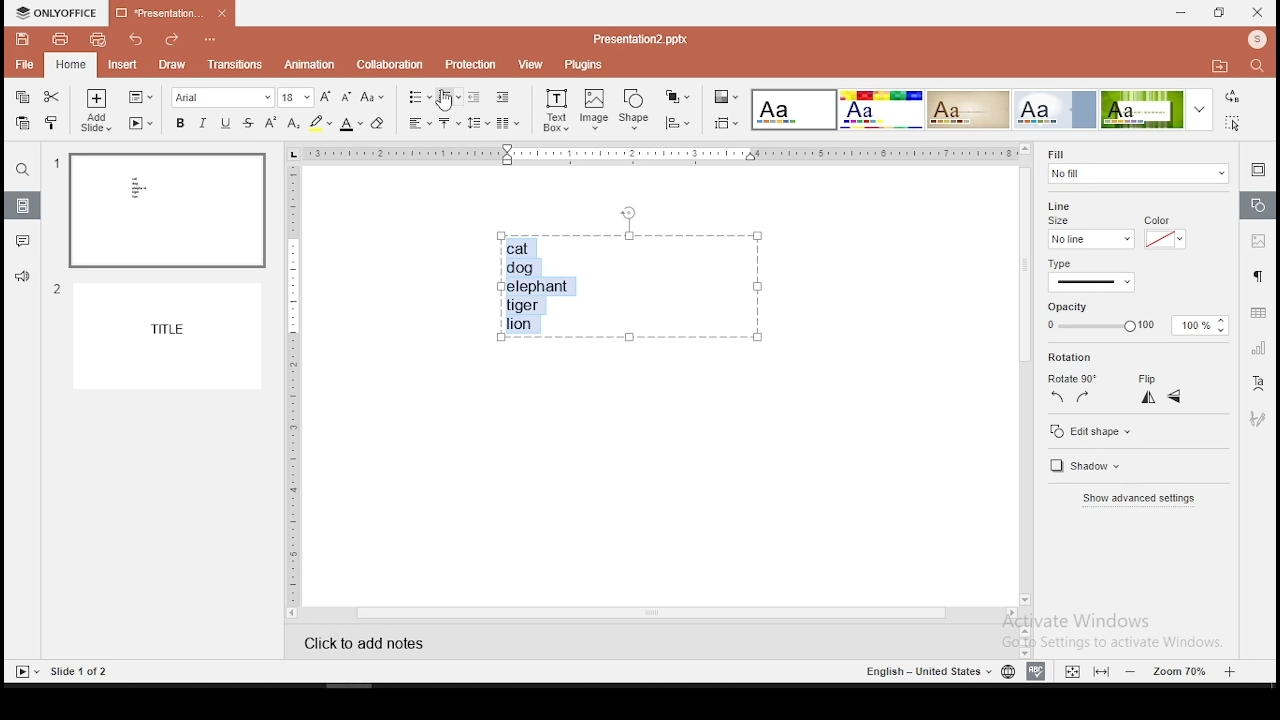 The height and width of the screenshot is (720, 1280). I want to click on collaboration, so click(389, 63).